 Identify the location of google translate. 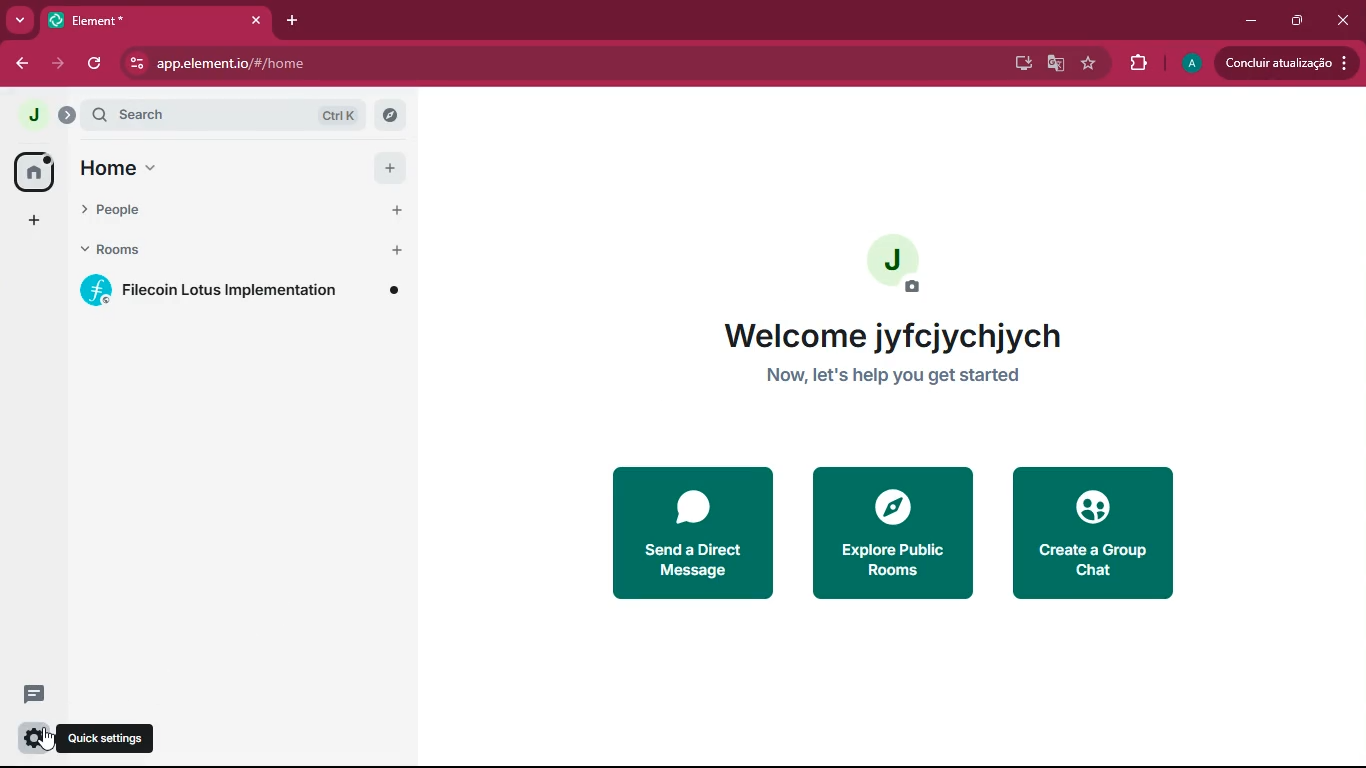
(1054, 65).